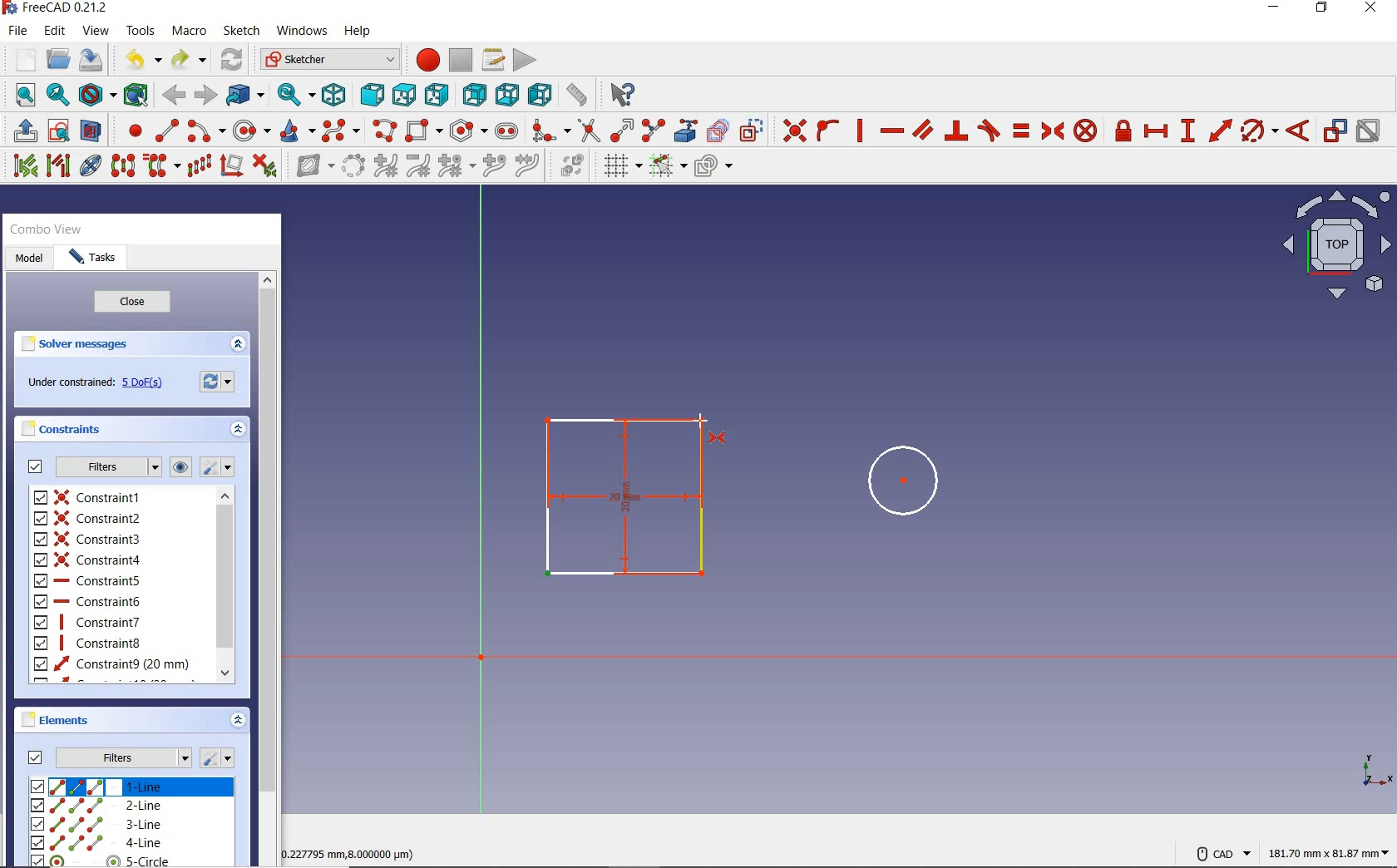 This screenshot has height=868, width=1397. What do you see at coordinates (95, 842) in the screenshot?
I see `4-LINE` at bounding box center [95, 842].